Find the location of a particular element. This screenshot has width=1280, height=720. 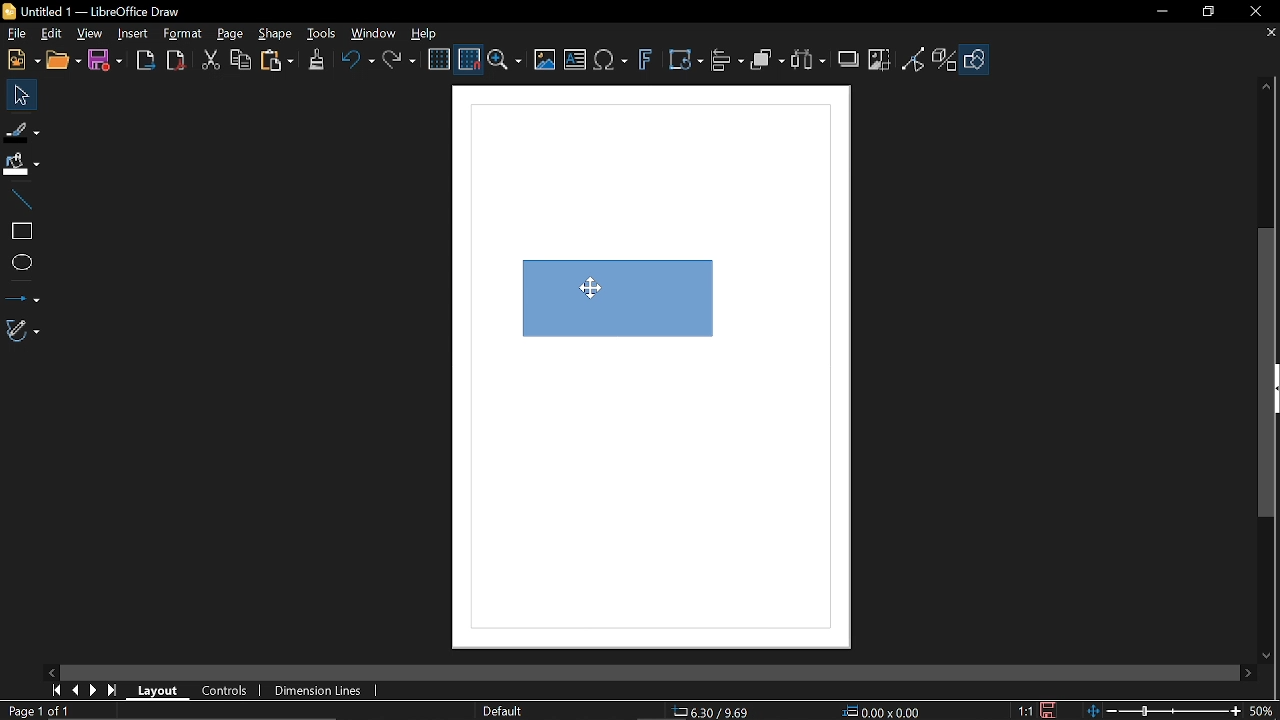

Insert image is located at coordinates (545, 61).